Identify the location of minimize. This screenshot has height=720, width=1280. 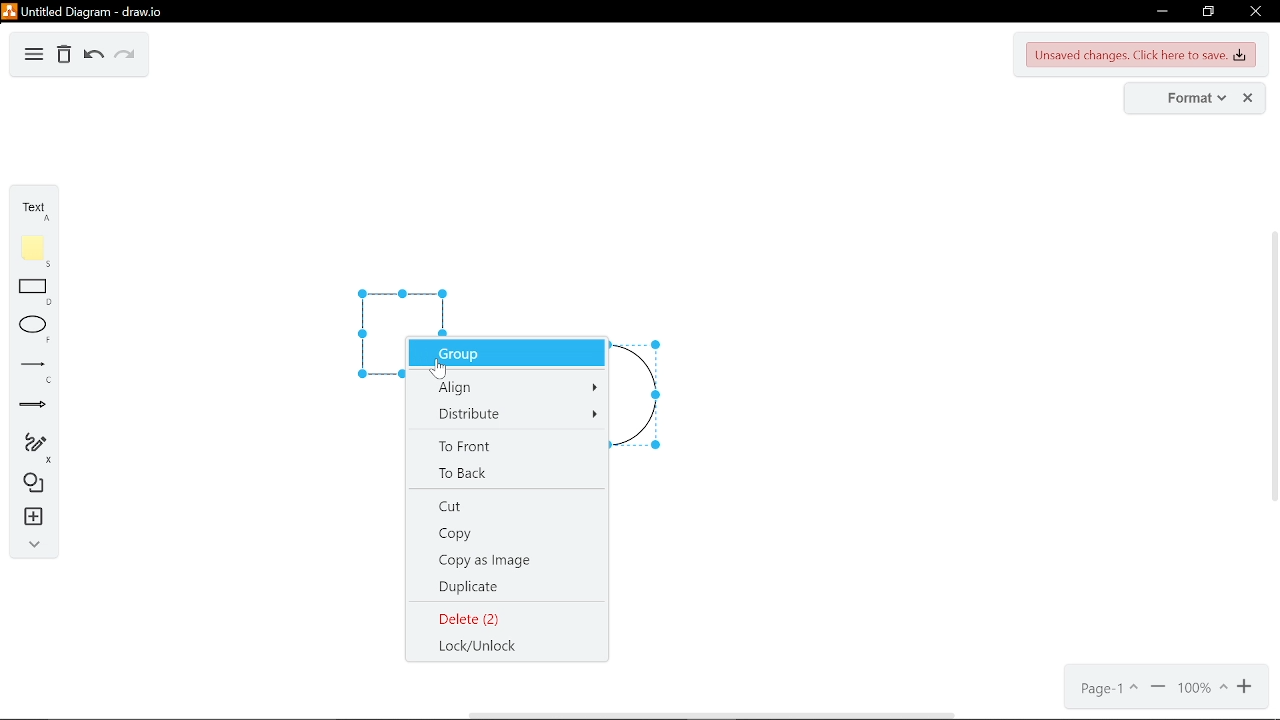
(1160, 13).